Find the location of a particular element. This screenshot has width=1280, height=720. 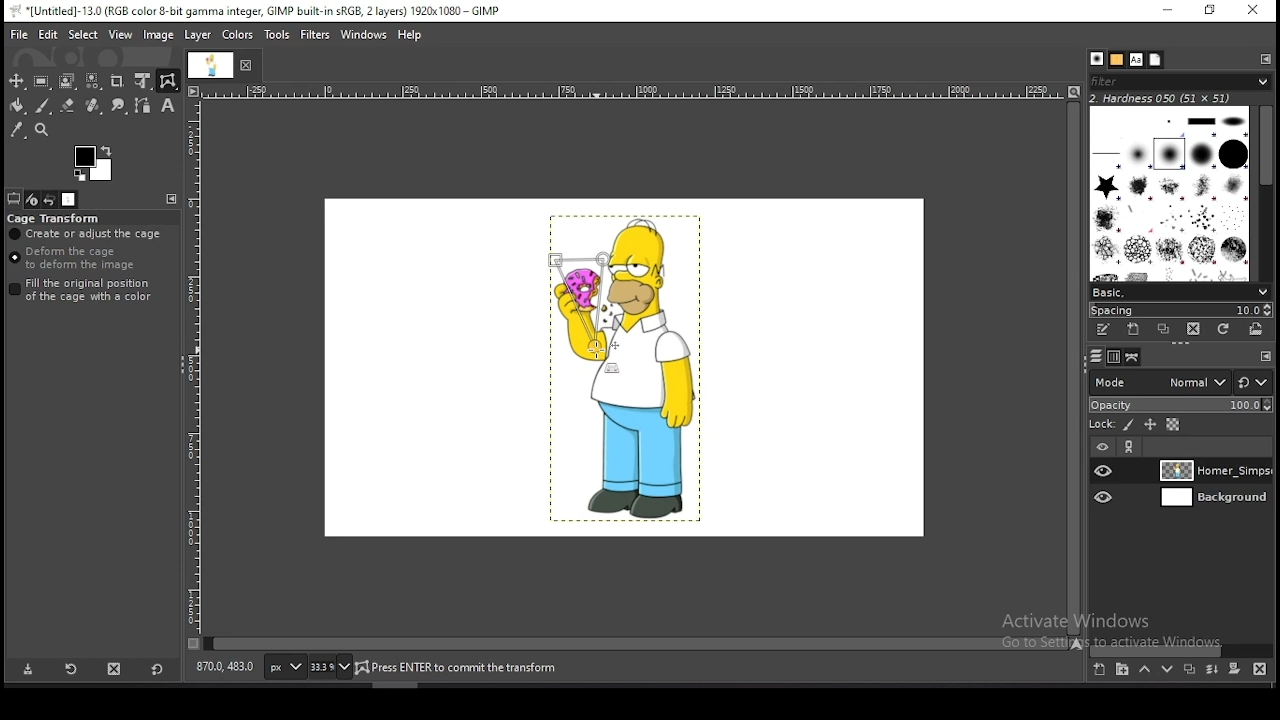

channels is located at coordinates (1112, 356).